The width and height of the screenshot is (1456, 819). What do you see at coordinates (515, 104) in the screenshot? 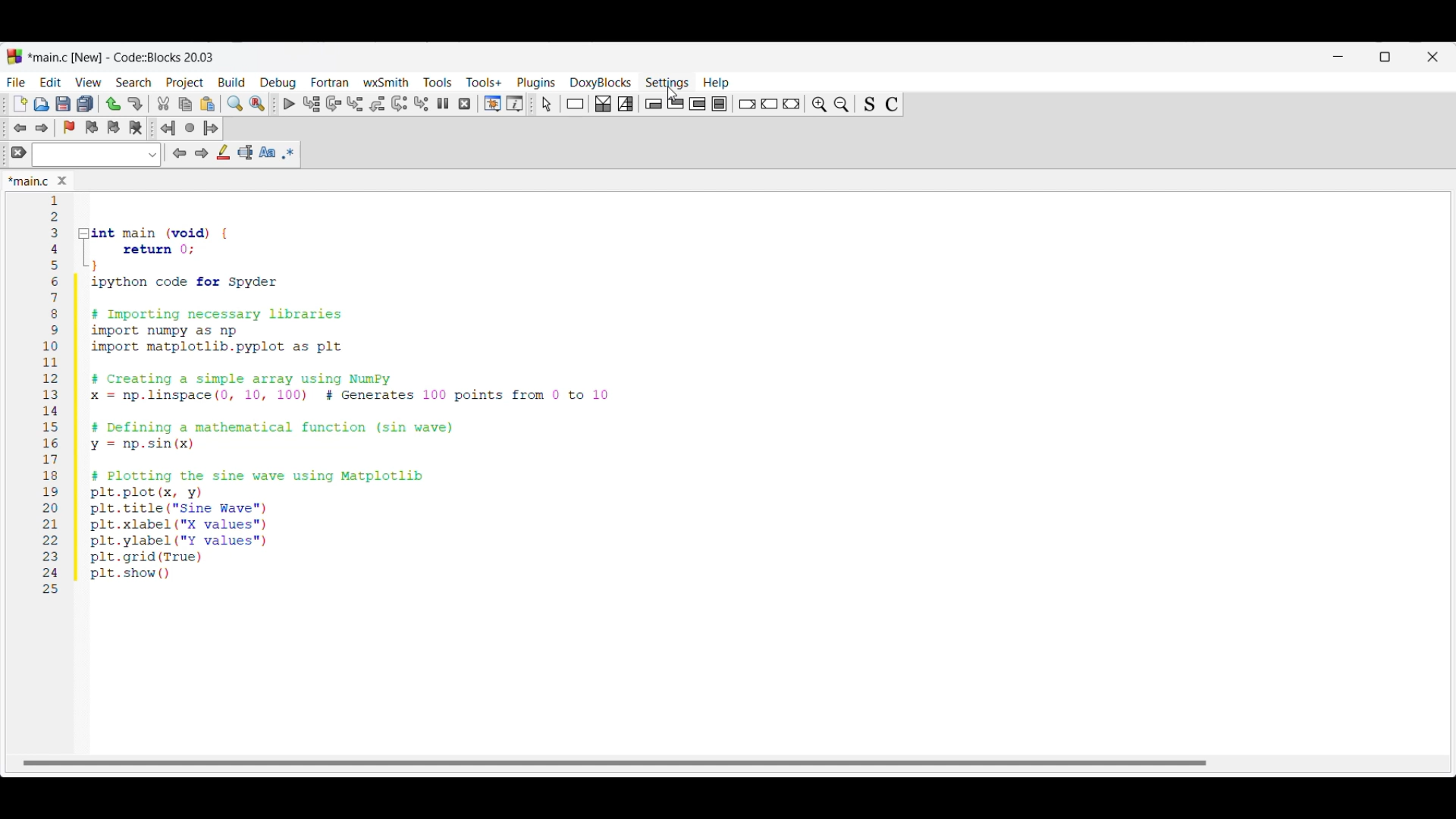
I see `Various info` at bounding box center [515, 104].